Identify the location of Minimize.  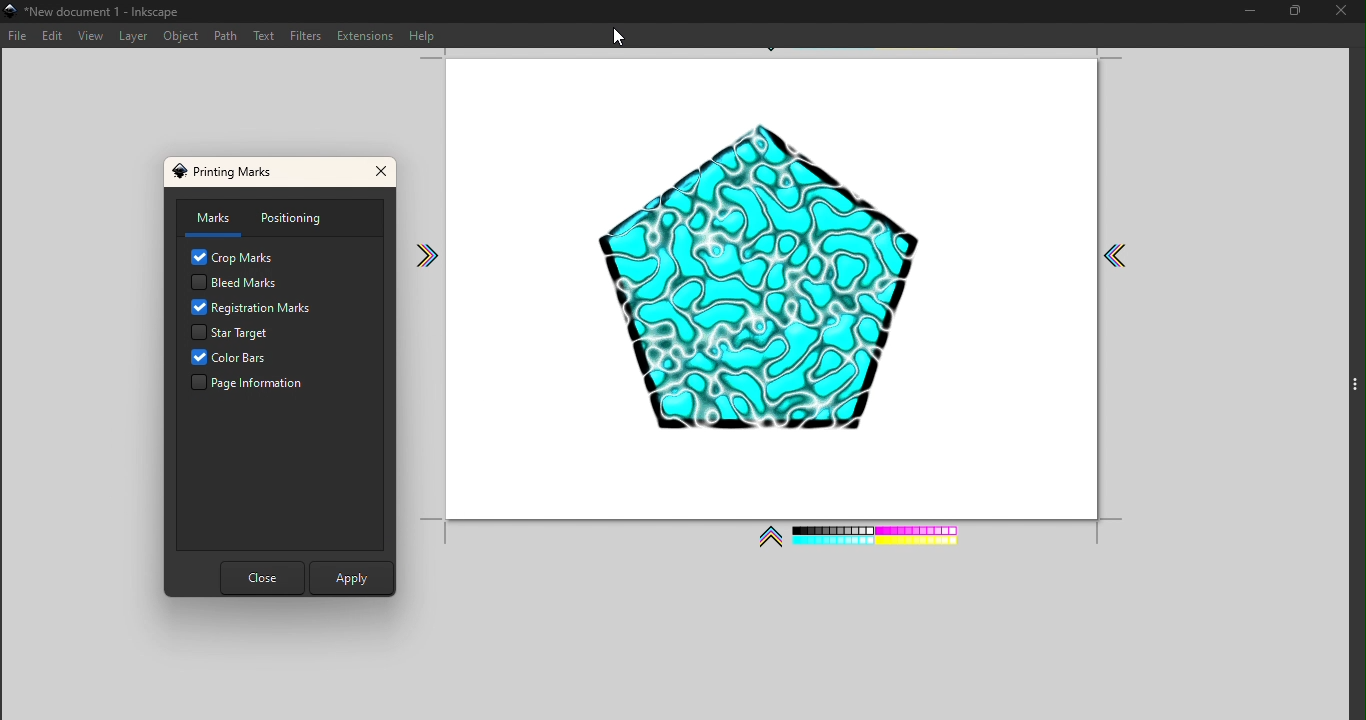
(1245, 12).